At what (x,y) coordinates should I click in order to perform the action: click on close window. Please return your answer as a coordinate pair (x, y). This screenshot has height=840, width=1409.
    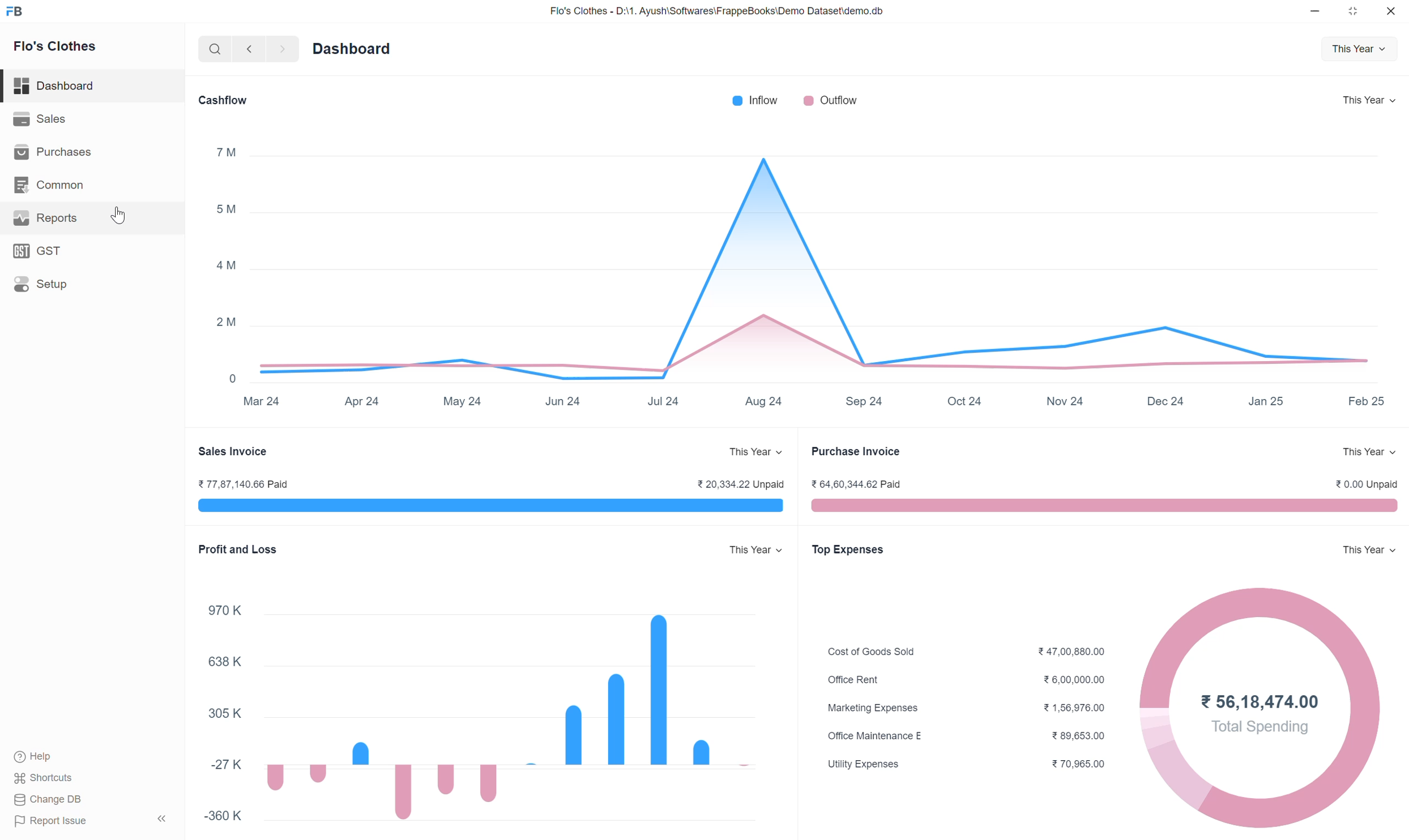
    Looking at the image, I should click on (1390, 11).